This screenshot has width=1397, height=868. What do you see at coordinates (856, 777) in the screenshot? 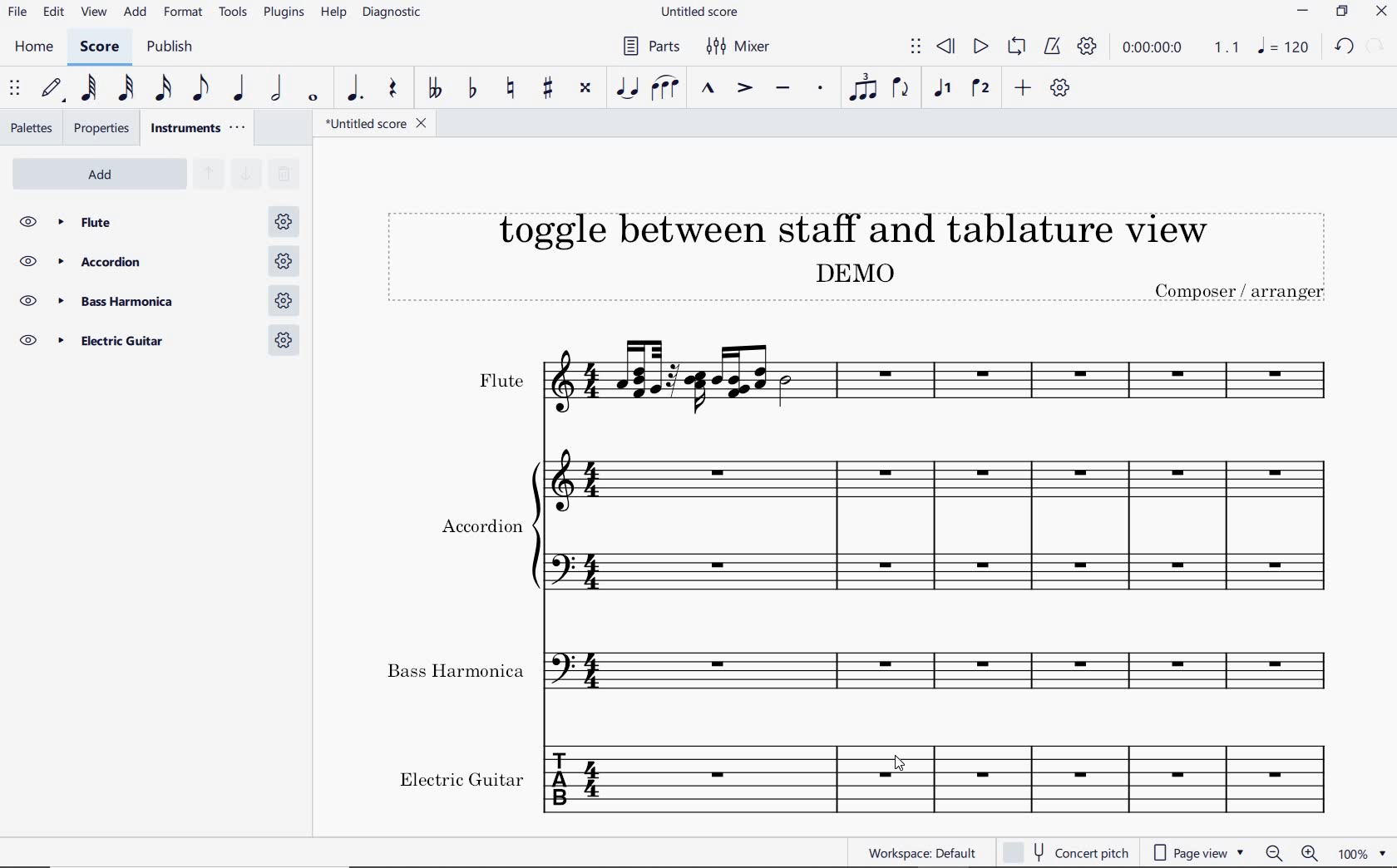
I see `Instrument: Electric guitar` at bounding box center [856, 777].